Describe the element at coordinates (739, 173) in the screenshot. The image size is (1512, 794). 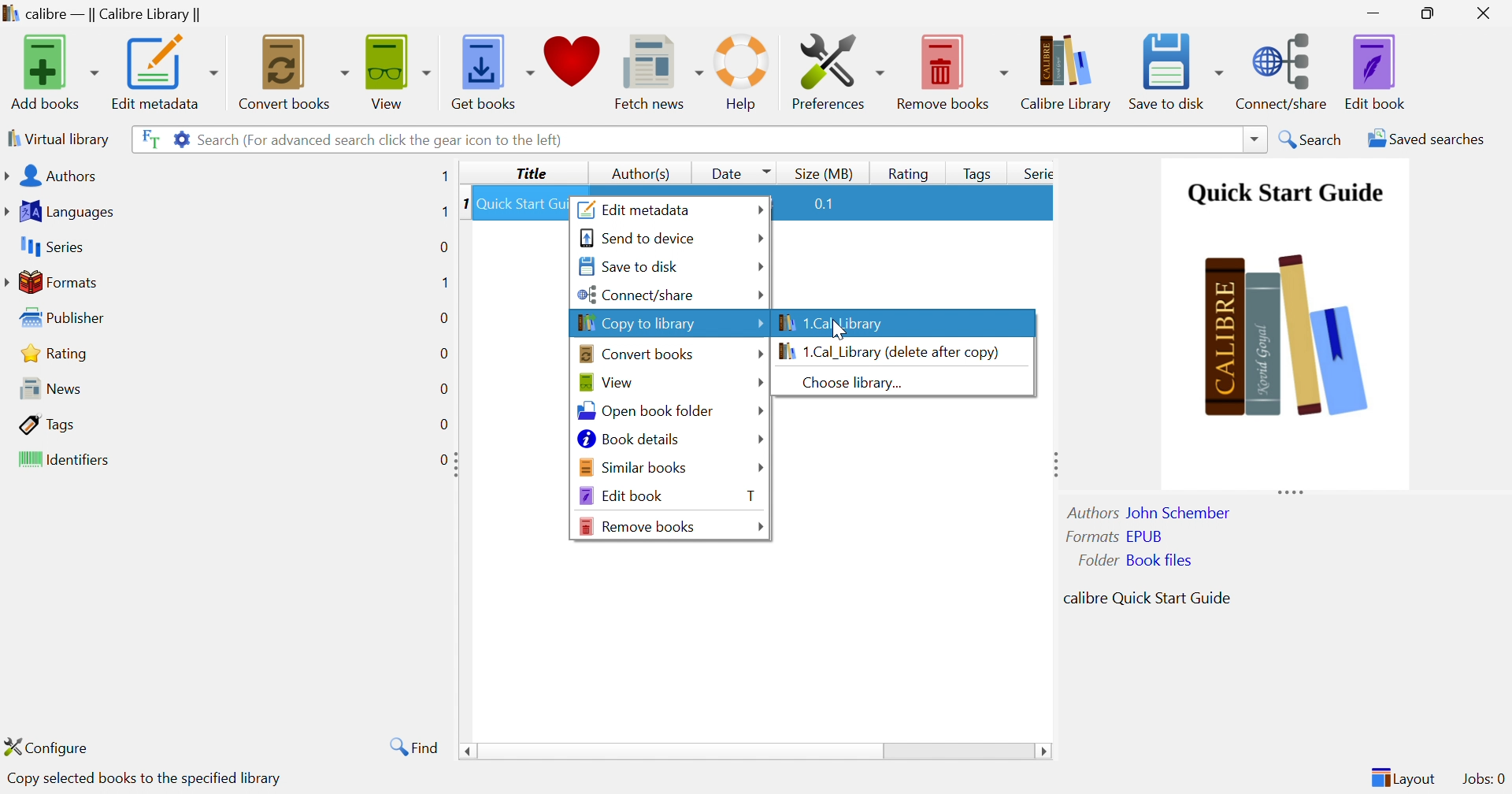
I see `Date` at that location.